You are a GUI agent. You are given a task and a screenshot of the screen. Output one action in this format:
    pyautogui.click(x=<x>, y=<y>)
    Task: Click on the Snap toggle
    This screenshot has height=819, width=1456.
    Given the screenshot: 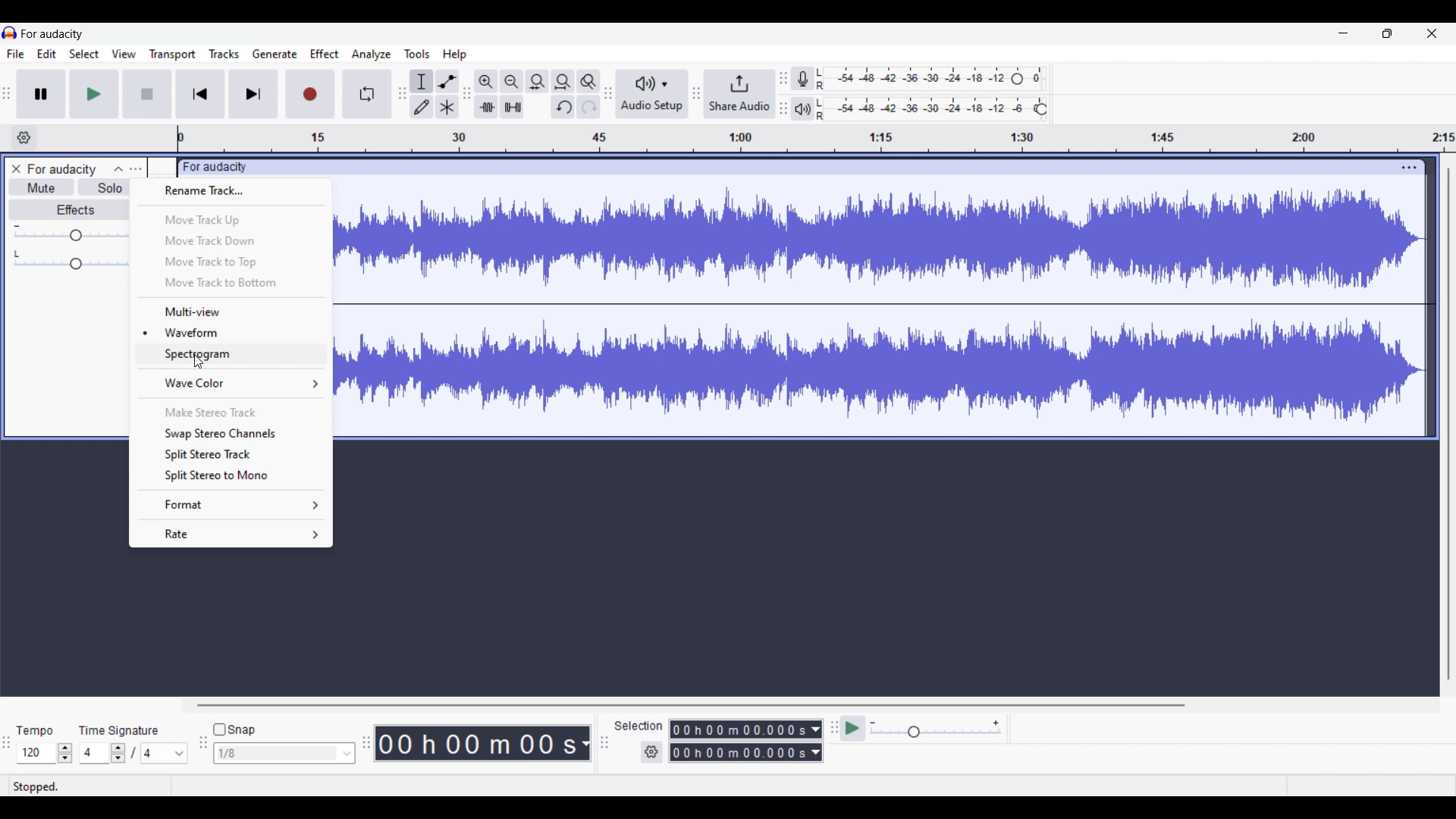 What is the action you would take?
    pyautogui.click(x=234, y=730)
    